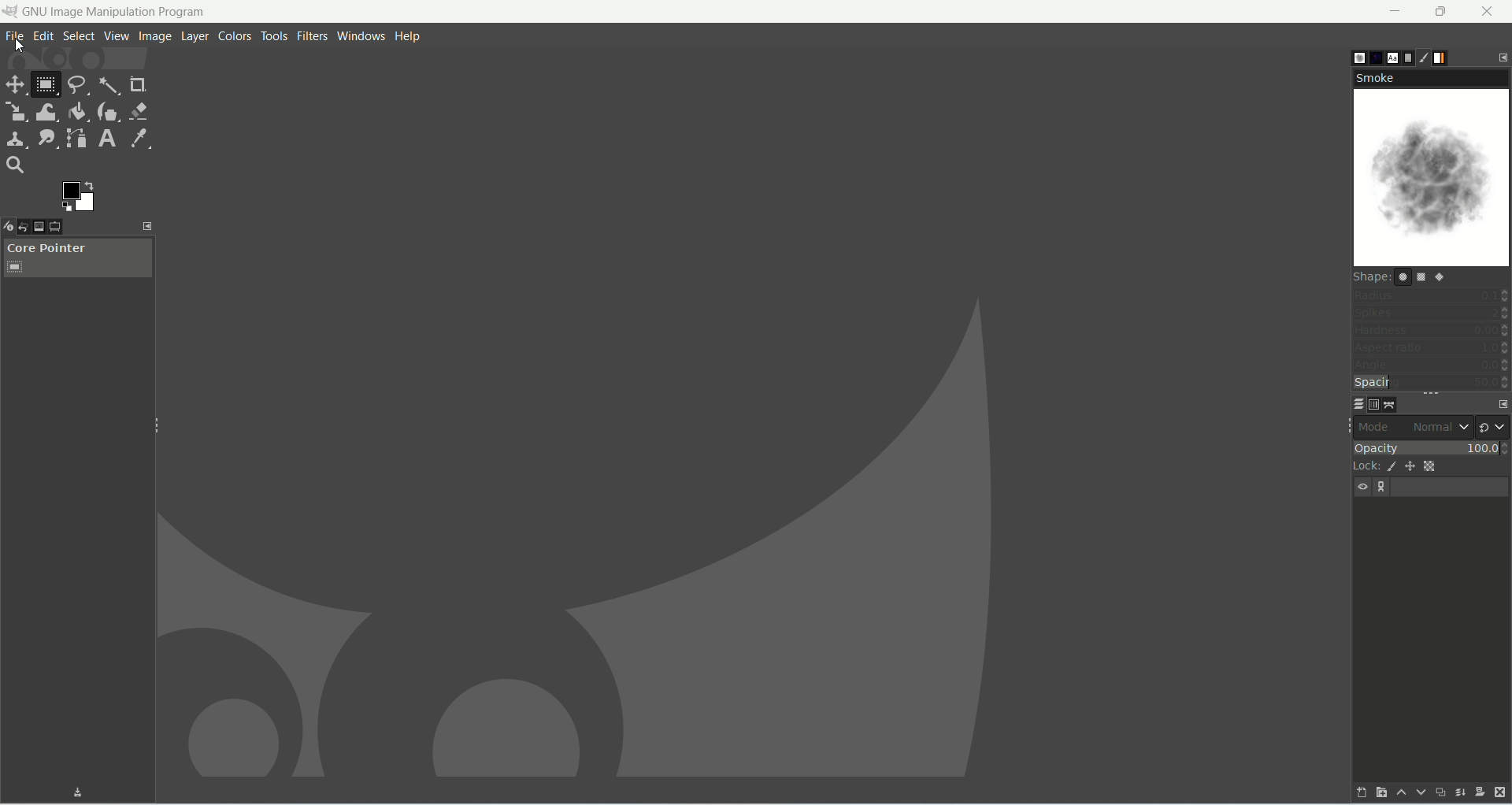 The width and height of the screenshot is (1512, 805). What do you see at coordinates (1397, 450) in the screenshot?
I see `opacity` at bounding box center [1397, 450].